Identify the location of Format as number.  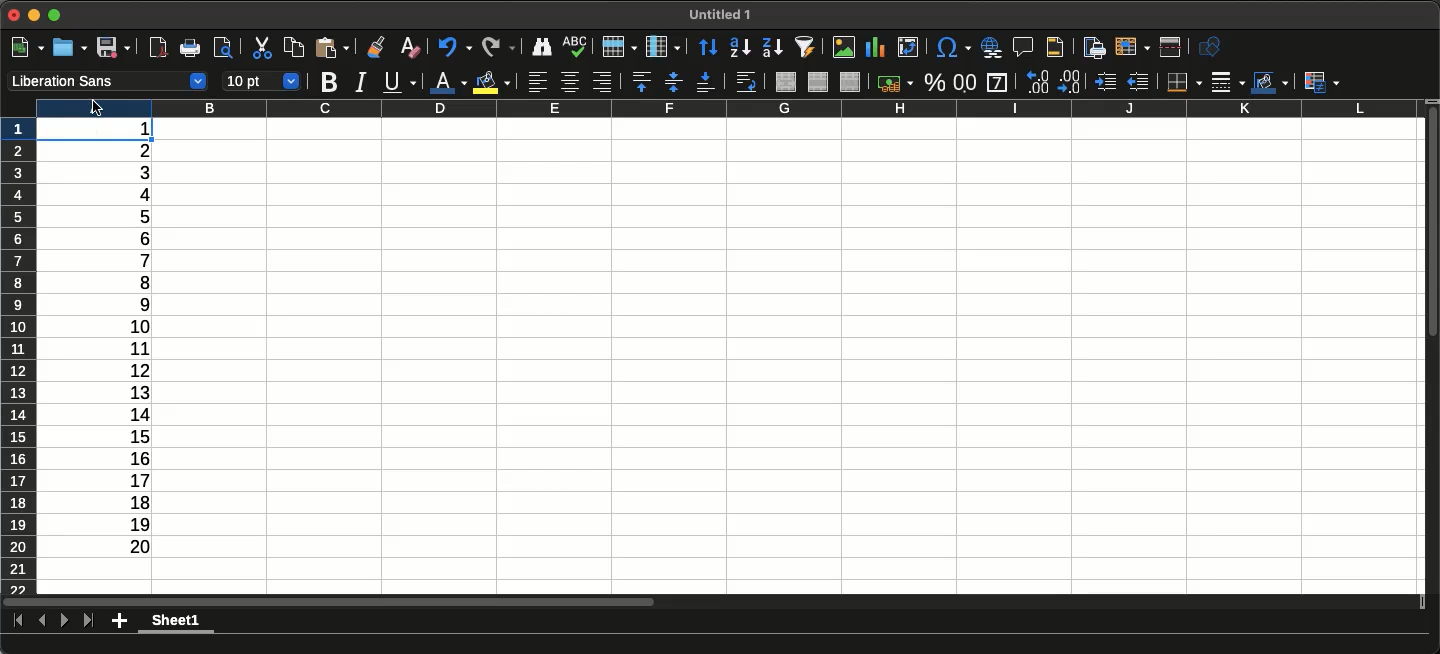
(965, 84).